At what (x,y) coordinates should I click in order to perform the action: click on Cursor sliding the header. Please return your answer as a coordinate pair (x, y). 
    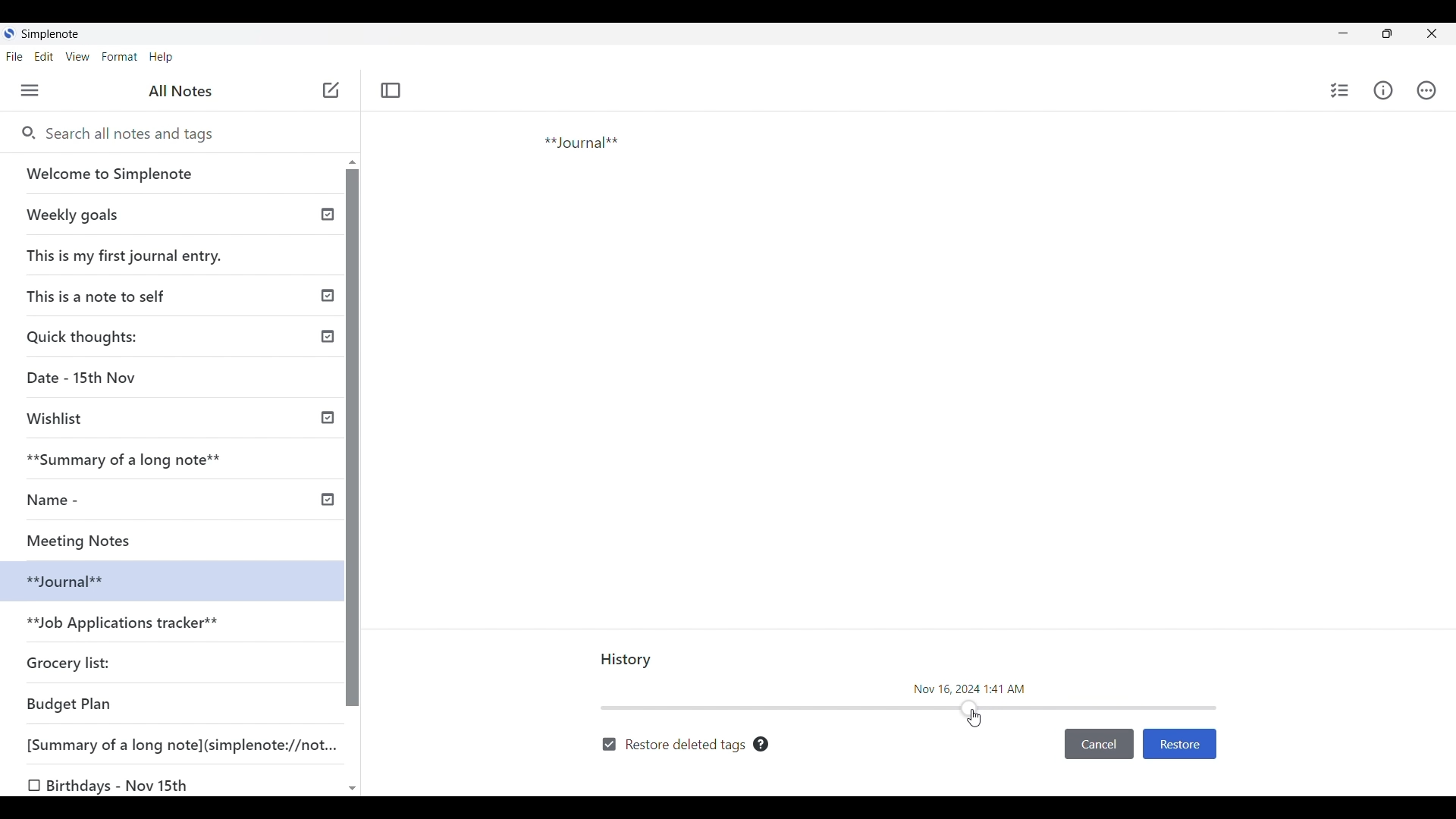
    Looking at the image, I should click on (974, 718).